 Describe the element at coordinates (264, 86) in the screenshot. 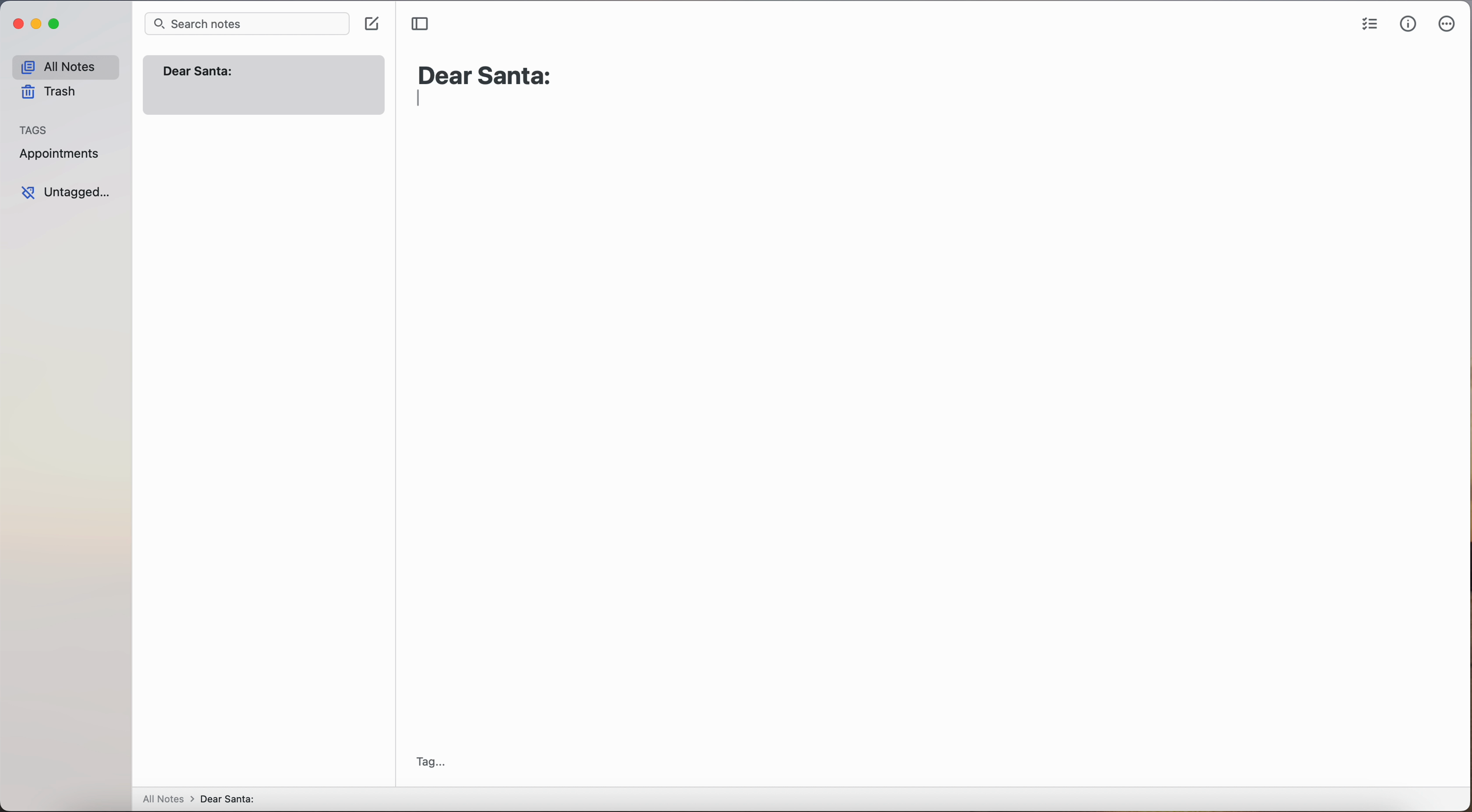

I see `note` at that location.